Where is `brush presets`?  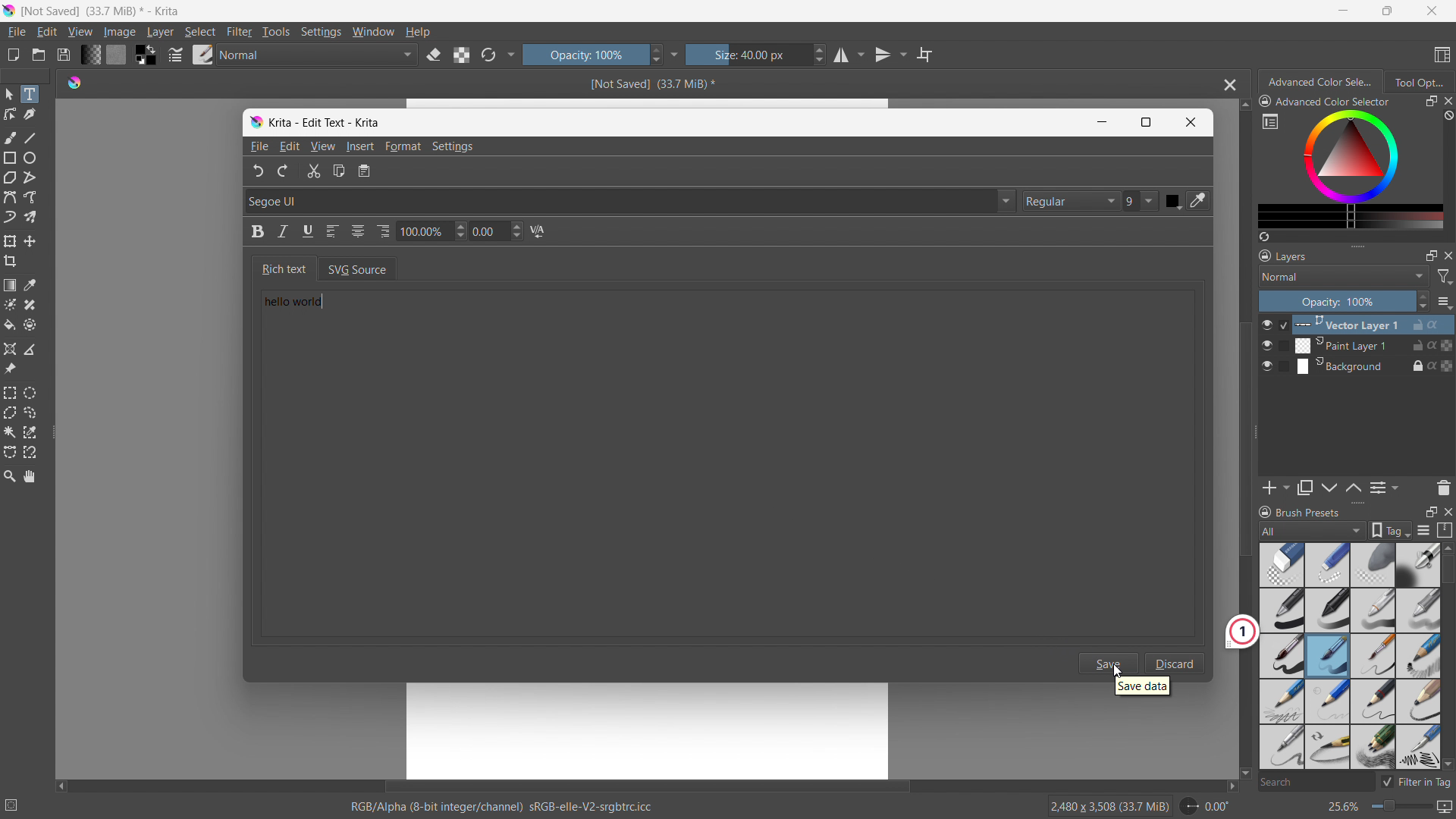 brush presets is located at coordinates (203, 54).